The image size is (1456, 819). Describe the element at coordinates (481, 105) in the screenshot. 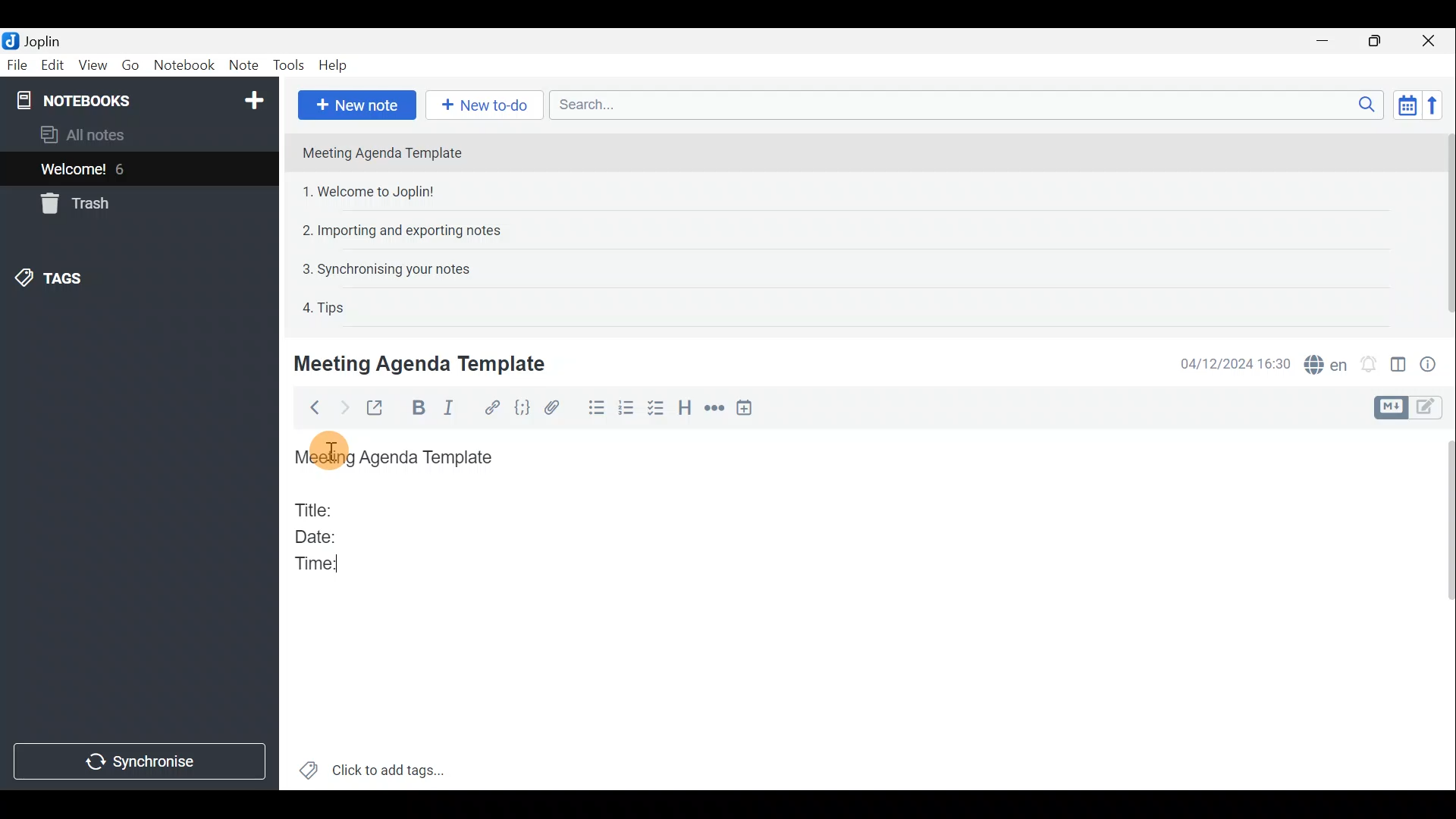

I see `New to-do` at that location.